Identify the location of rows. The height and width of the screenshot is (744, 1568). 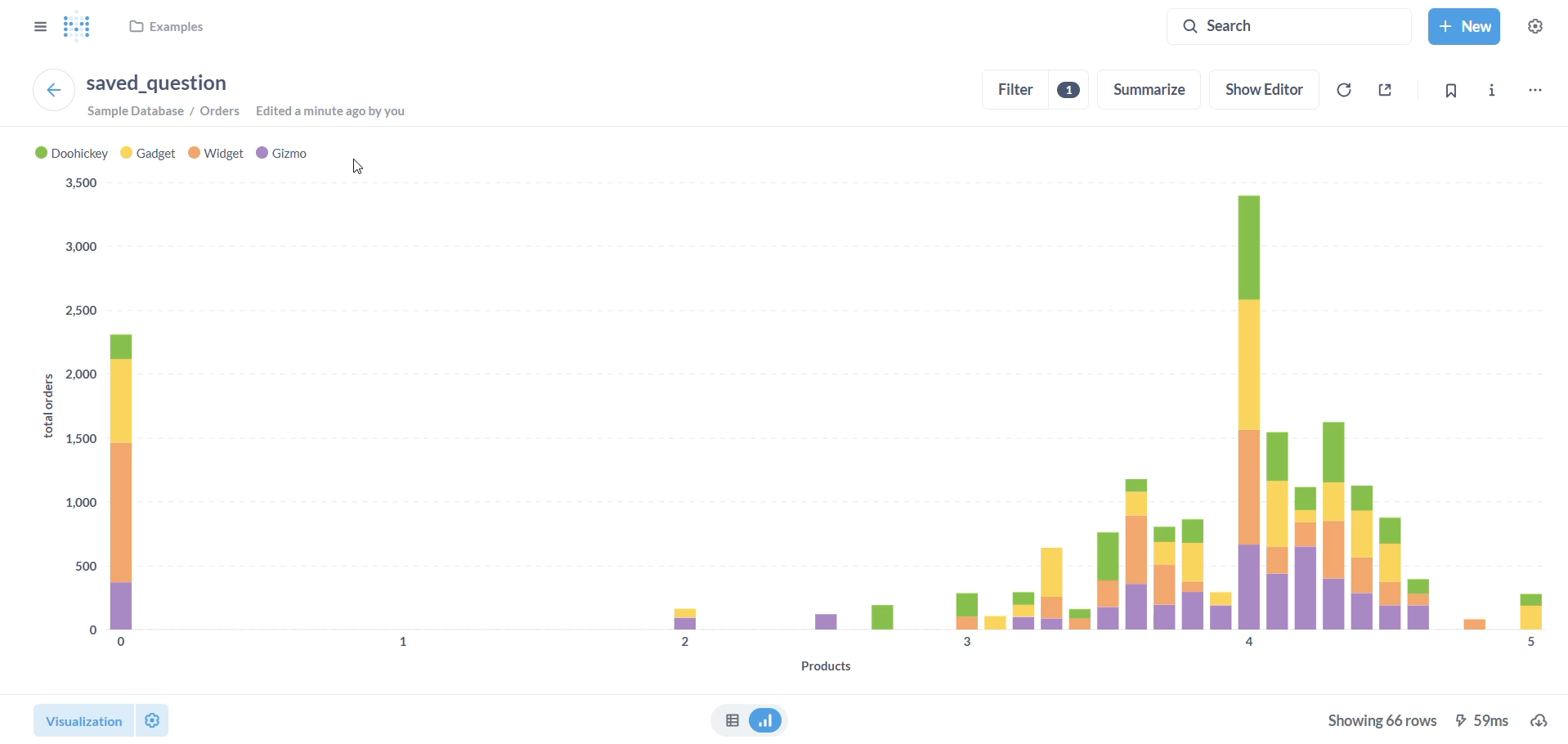
(1378, 719).